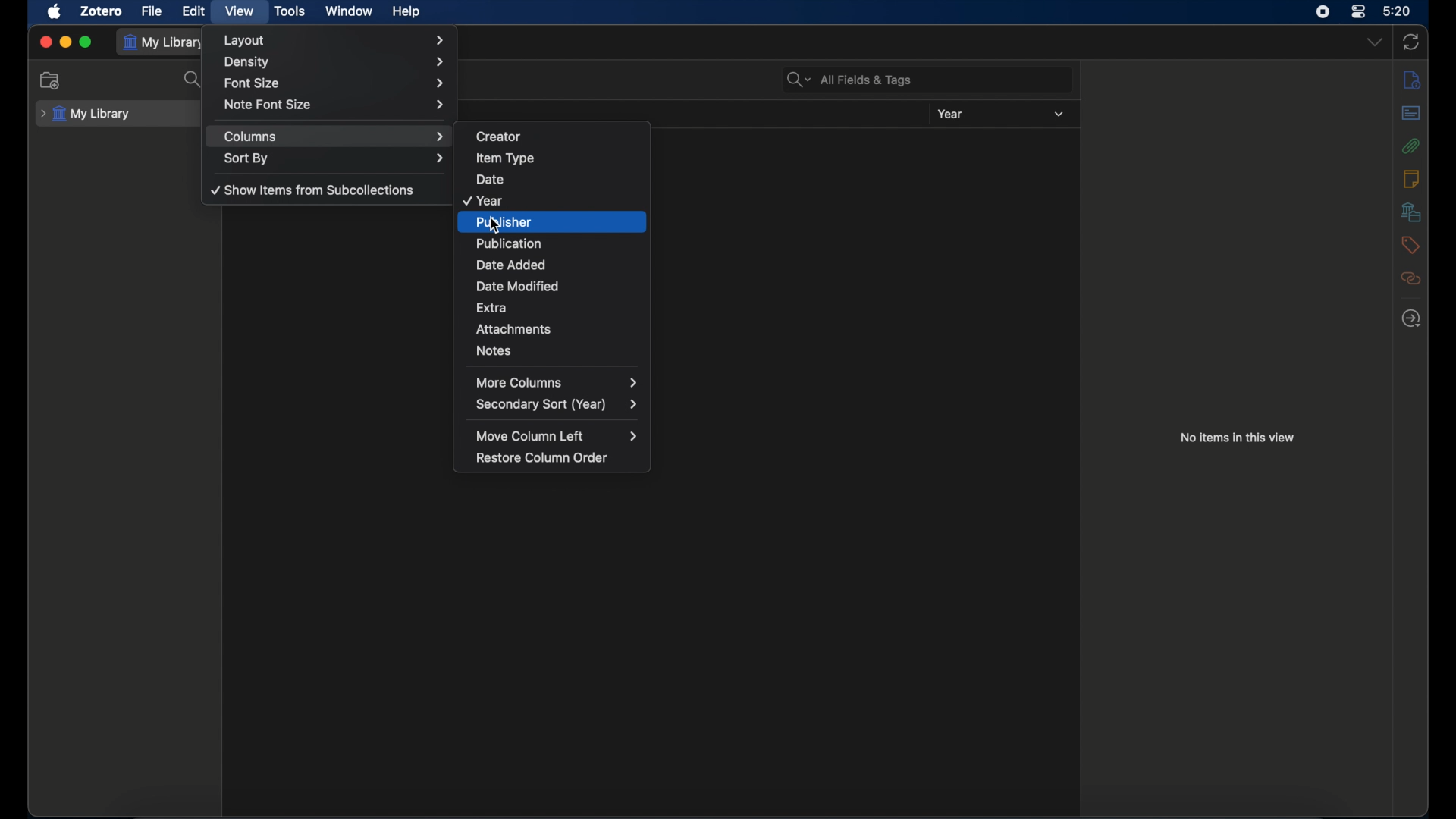 This screenshot has height=819, width=1456. What do you see at coordinates (559, 155) in the screenshot?
I see `item type` at bounding box center [559, 155].